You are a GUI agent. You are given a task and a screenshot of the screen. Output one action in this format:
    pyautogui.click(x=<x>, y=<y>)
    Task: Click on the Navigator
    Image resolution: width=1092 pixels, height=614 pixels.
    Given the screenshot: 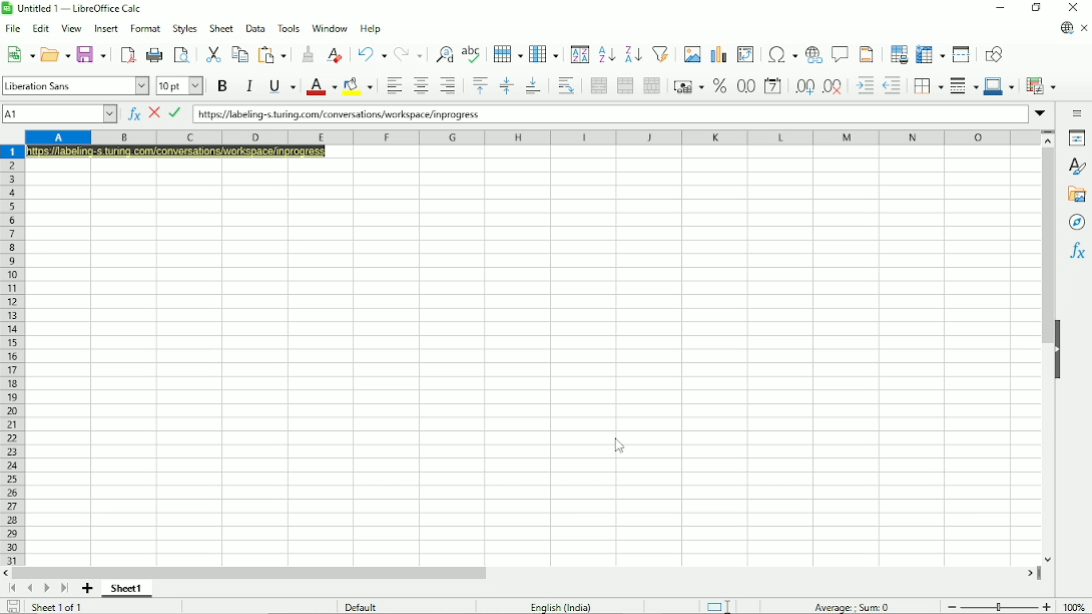 What is the action you would take?
    pyautogui.click(x=1077, y=224)
    